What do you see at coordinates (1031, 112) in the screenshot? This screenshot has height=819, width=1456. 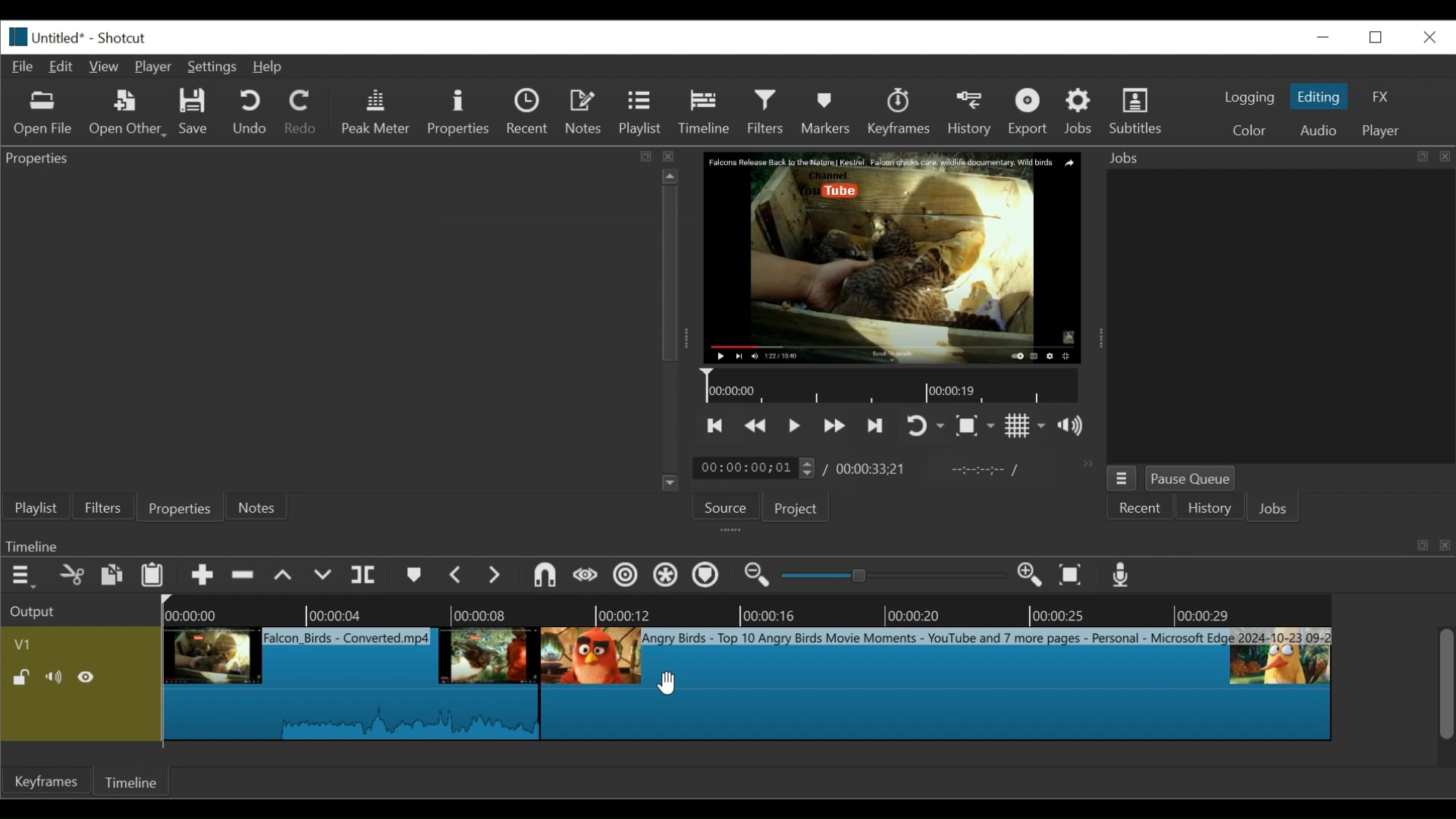 I see `Export` at bounding box center [1031, 112].